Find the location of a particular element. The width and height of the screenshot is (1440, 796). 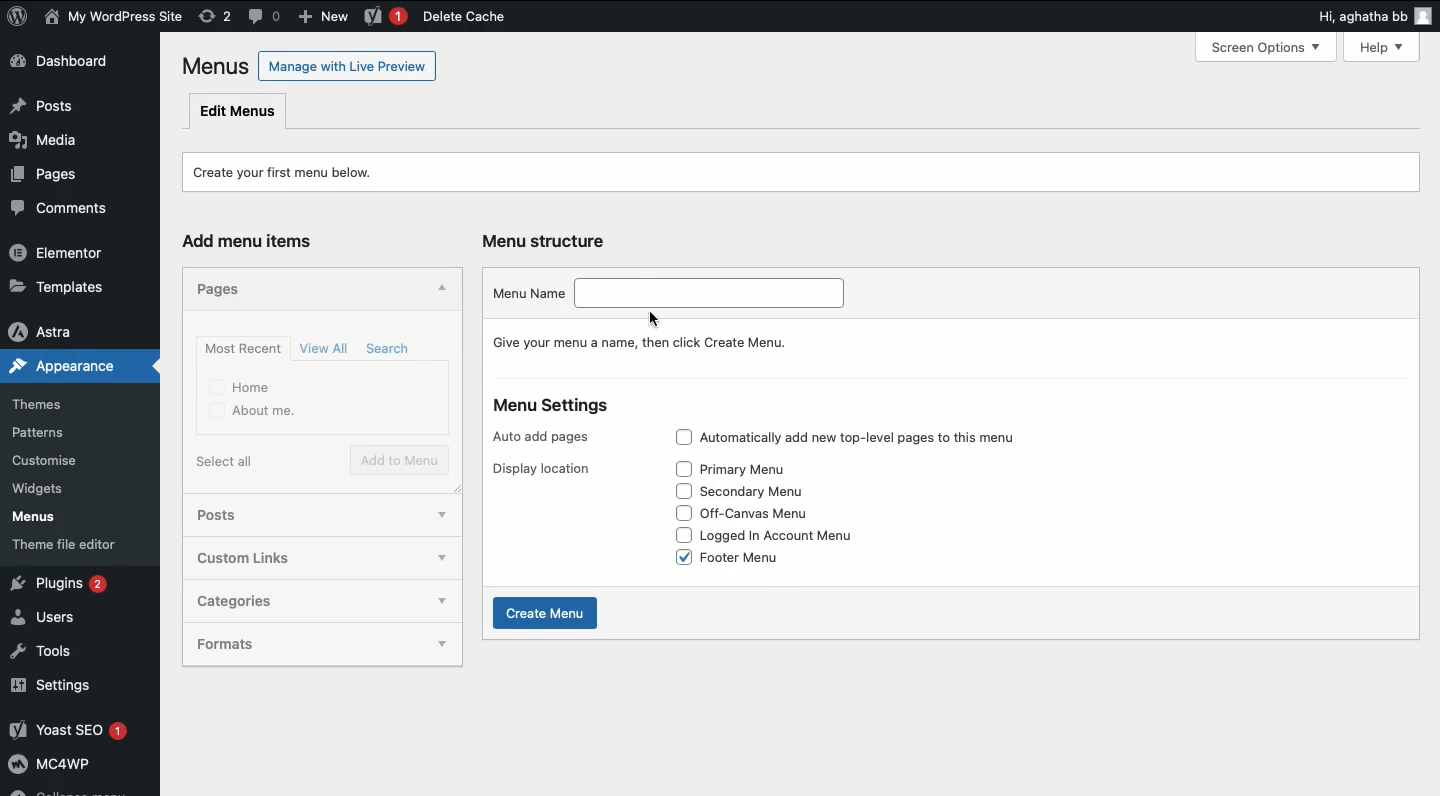

Categories is located at coordinates (297, 598).